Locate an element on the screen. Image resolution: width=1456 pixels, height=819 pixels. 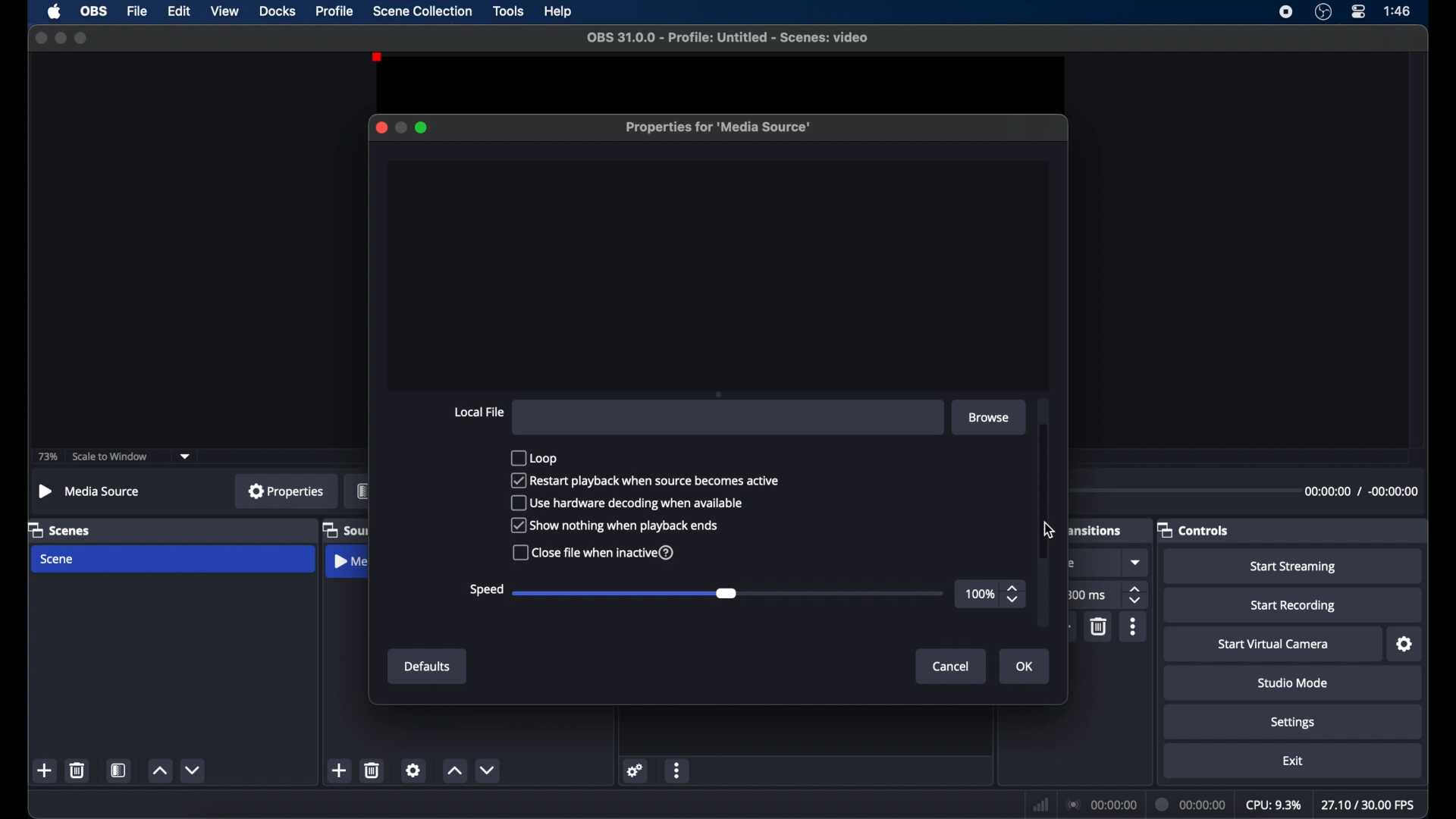
obscure label is located at coordinates (362, 491).